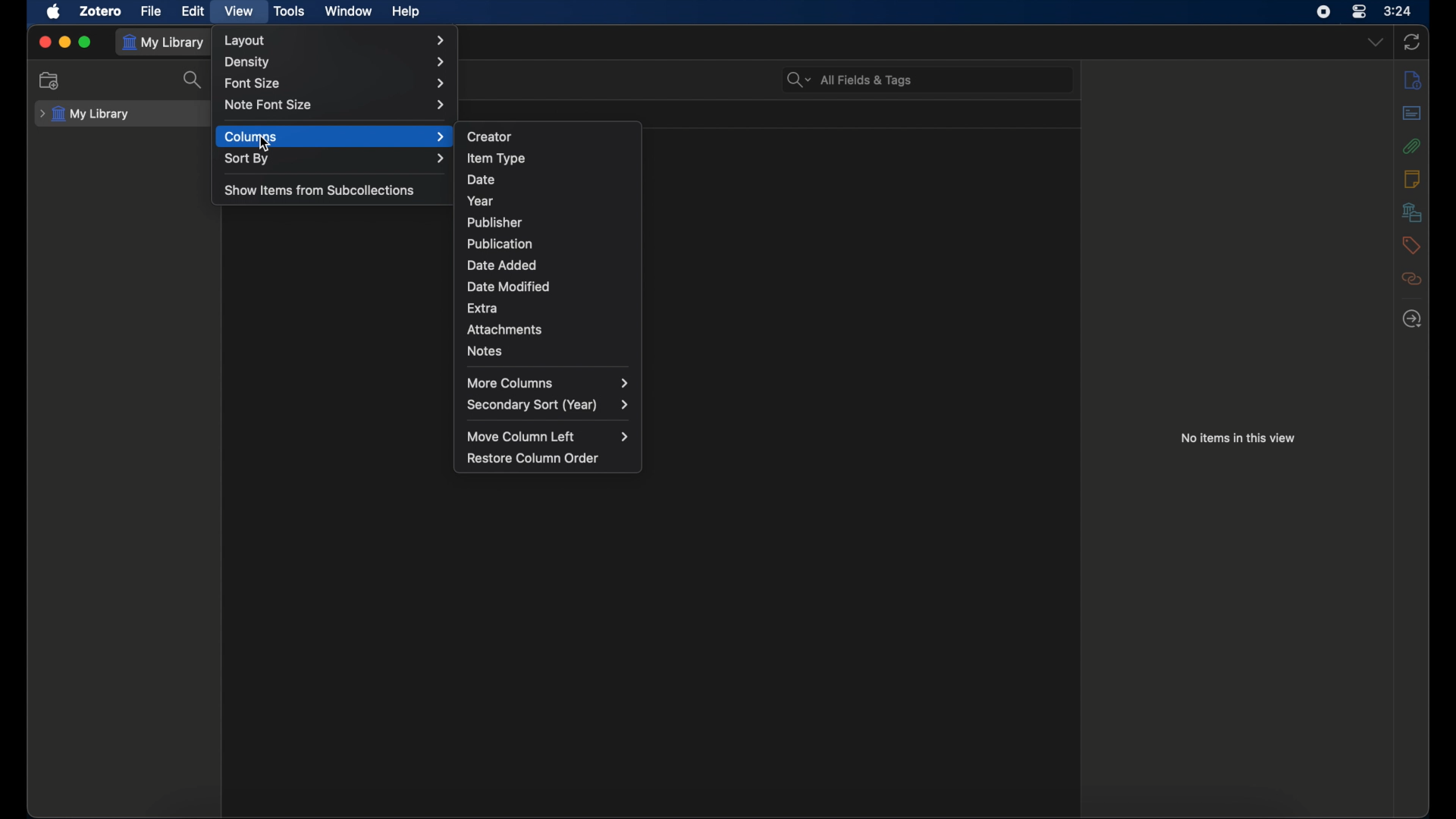 The width and height of the screenshot is (1456, 819). Describe the element at coordinates (290, 12) in the screenshot. I see `tools` at that location.